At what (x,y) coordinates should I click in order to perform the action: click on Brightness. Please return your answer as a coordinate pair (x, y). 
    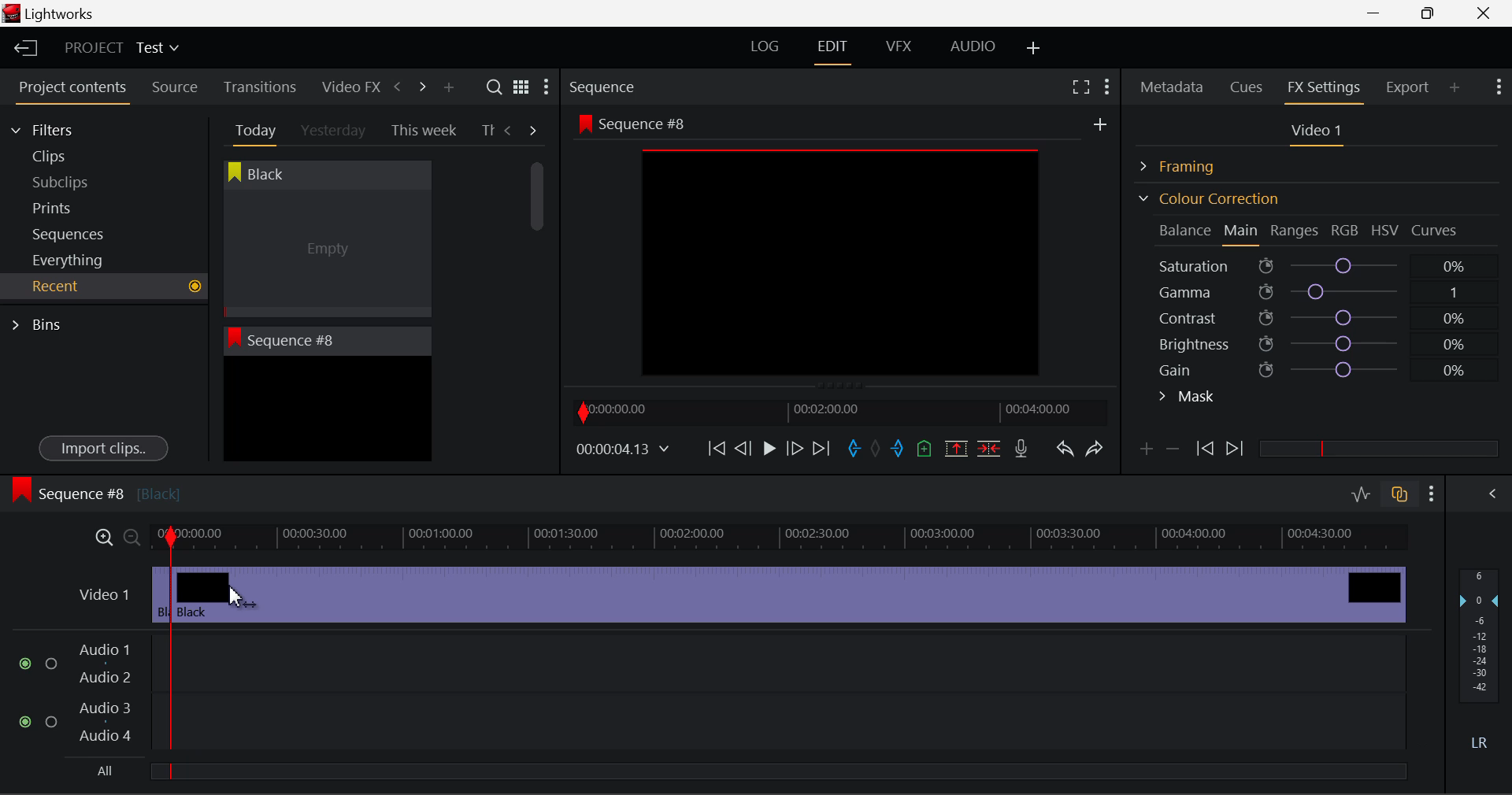
    Looking at the image, I should click on (1318, 341).